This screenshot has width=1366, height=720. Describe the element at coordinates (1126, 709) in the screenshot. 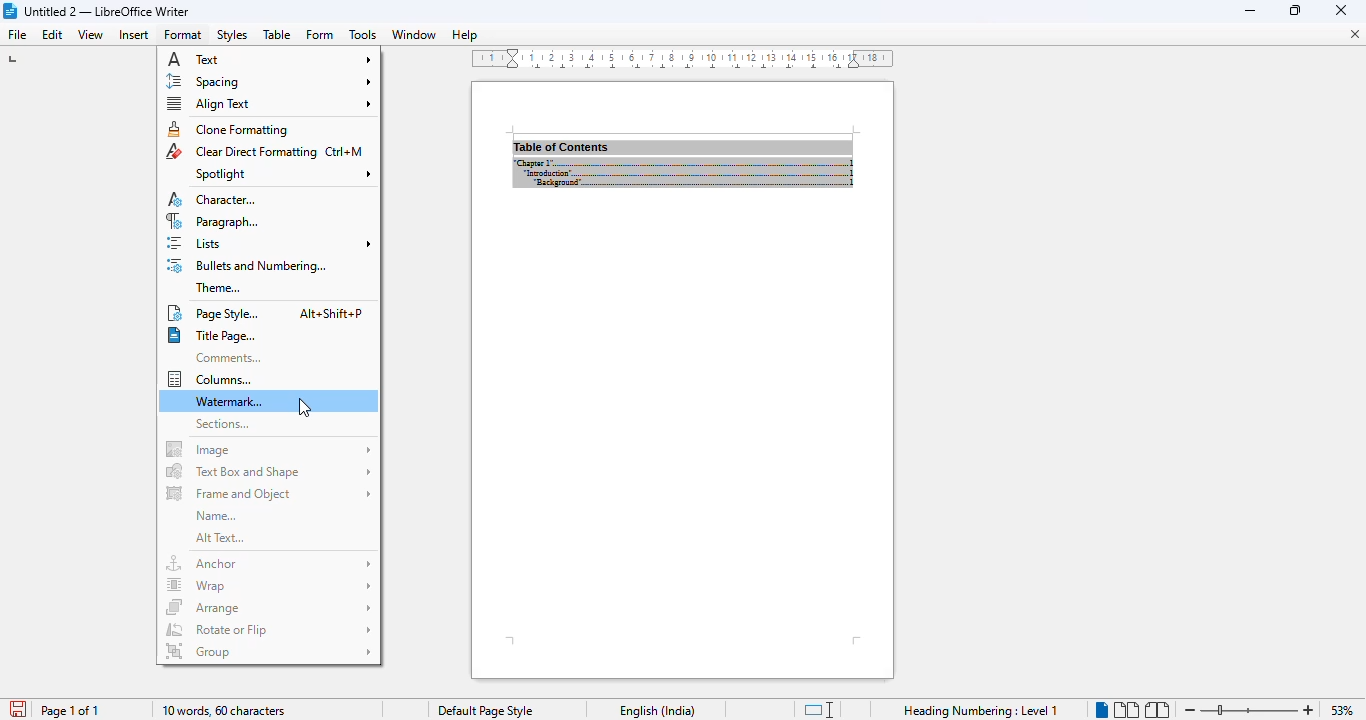

I see `multi-page view` at that location.